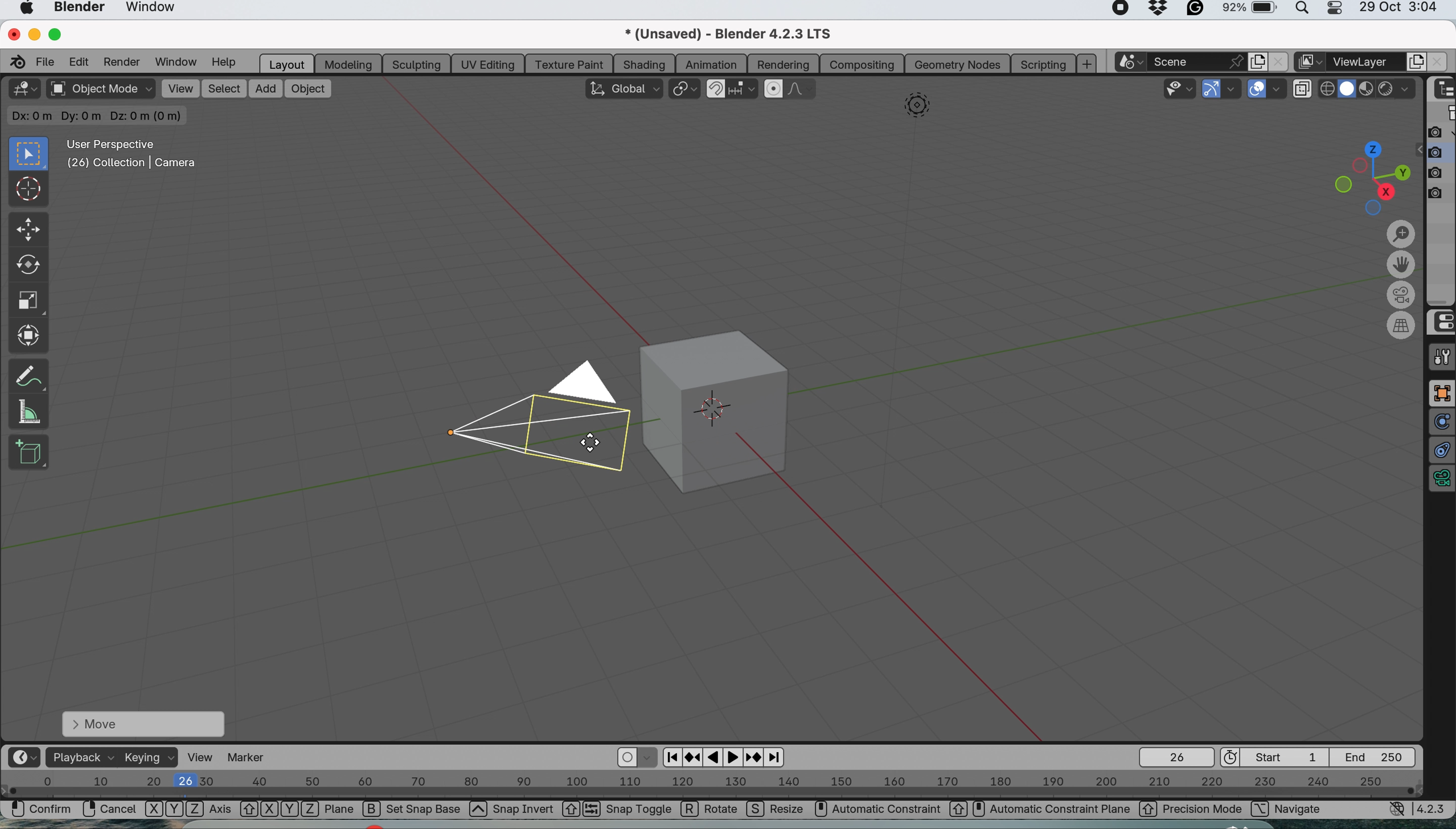 Image resolution: width=1456 pixels, height=829 pixels. I want to click on drop box, so click(1160, 10).